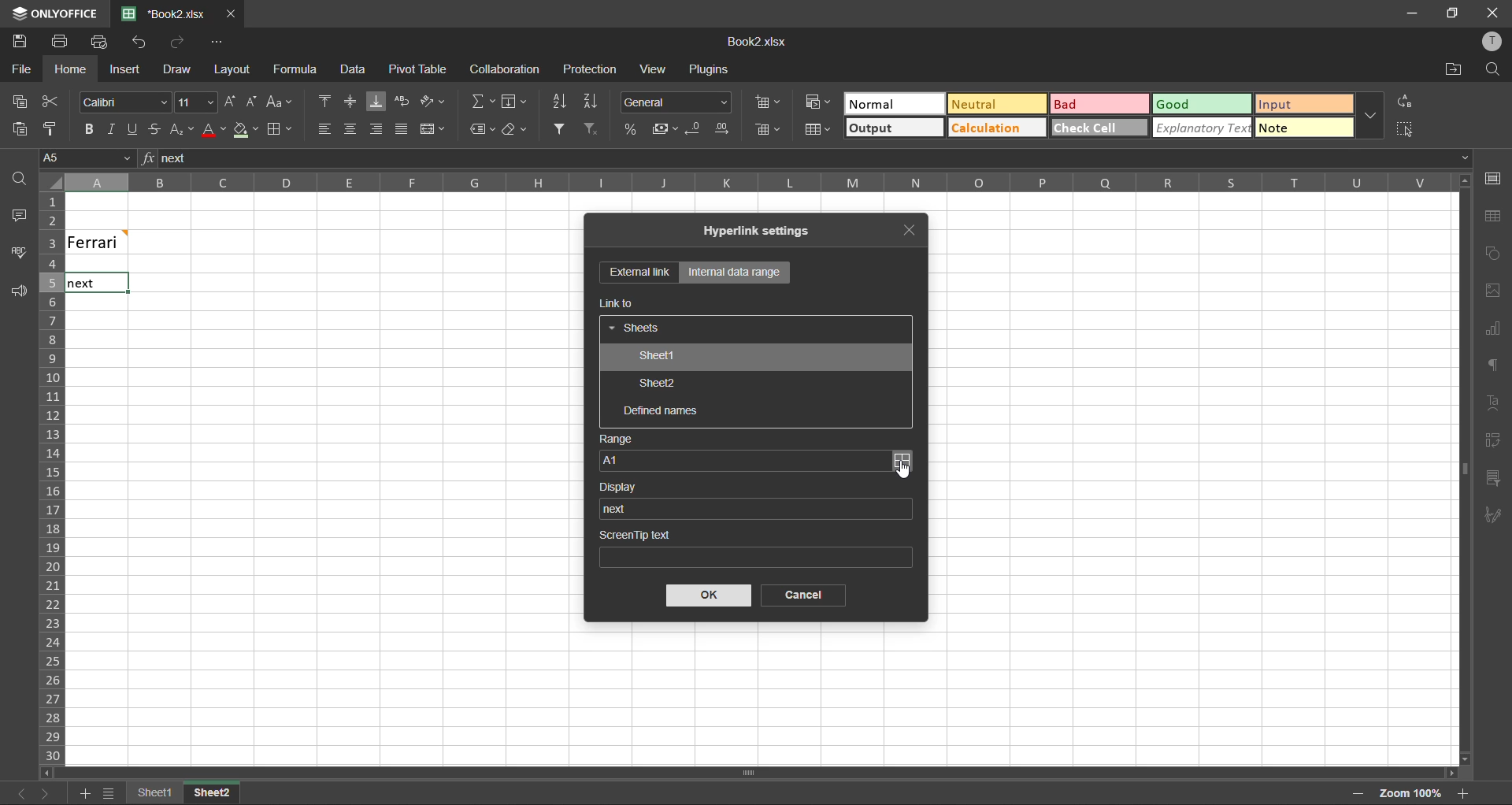 This screenshot has width=1512, height=805. Describe the element at coordinates (84, 793) in the screenshot. I see `add sheet` at that location.